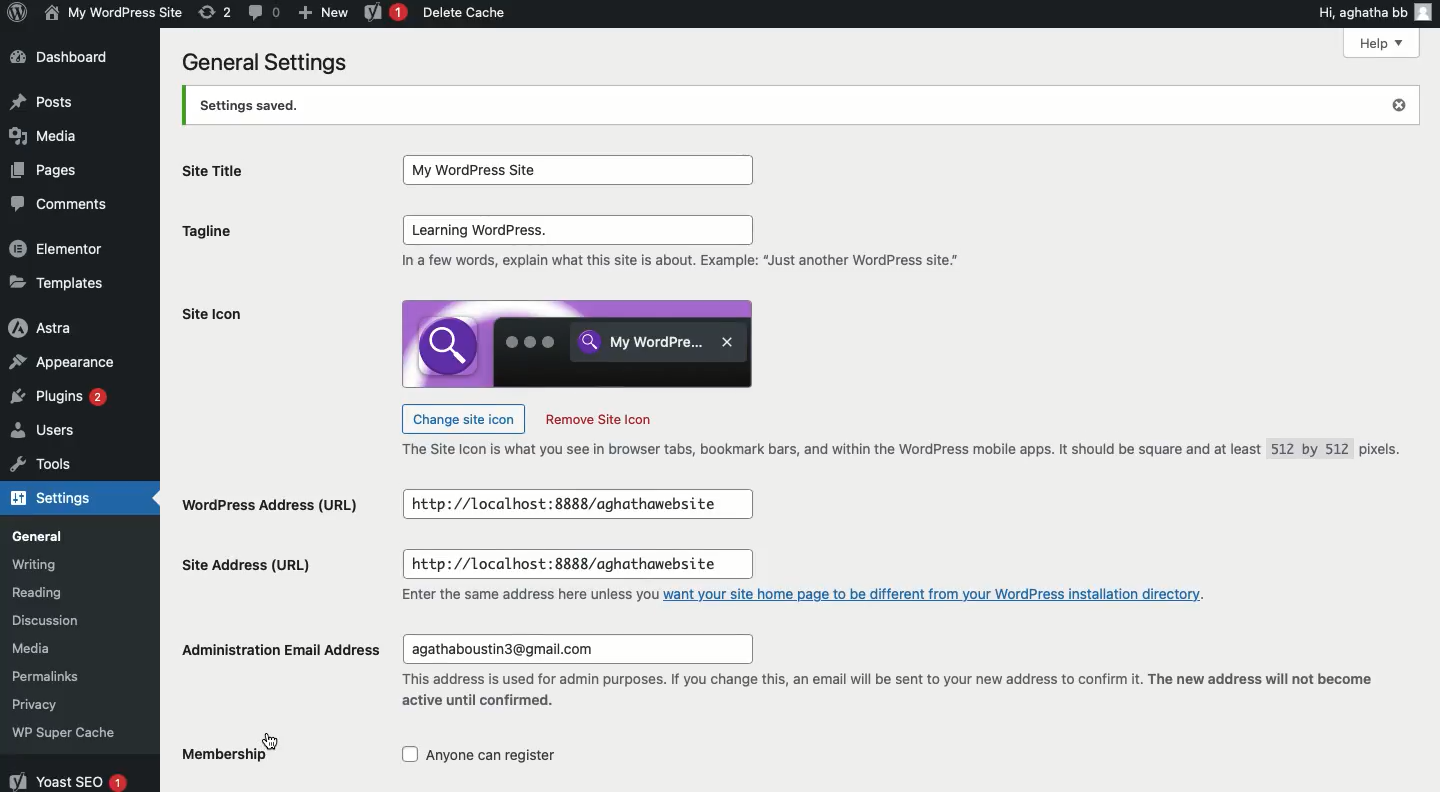  Describe the element at coordinates (323, 11) in the screenshot. I see `New` at that location.